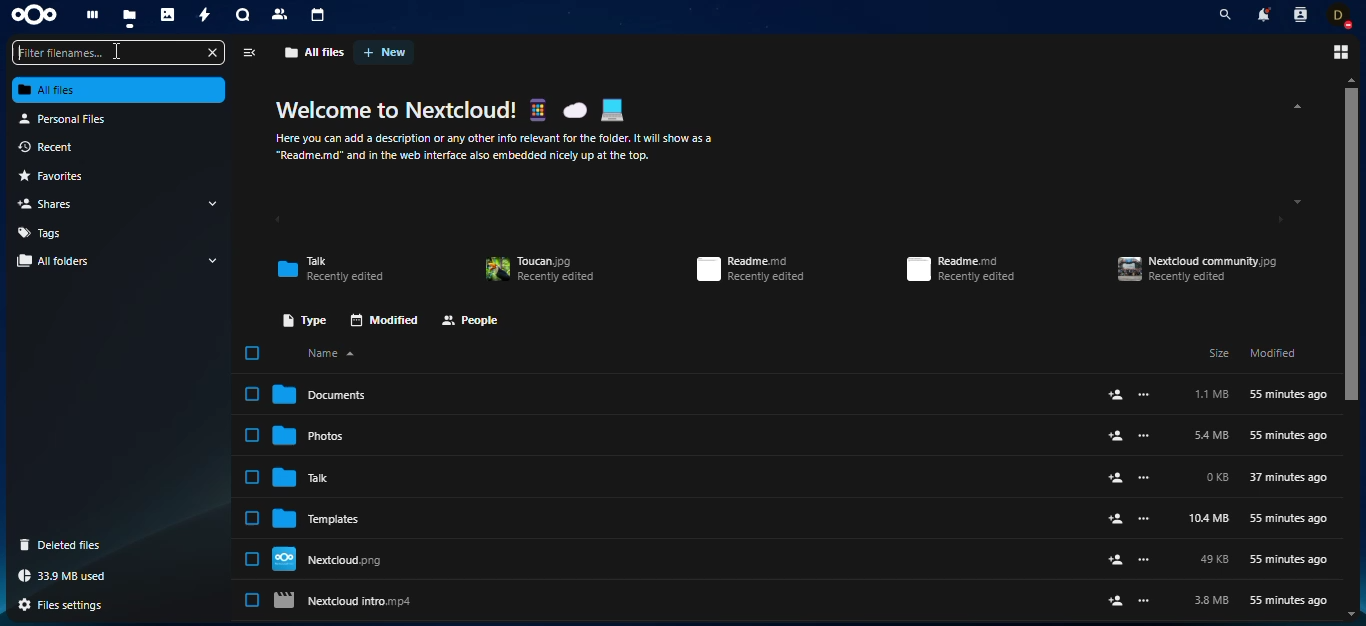  Describe the element at coordinates (1116, 394) in the screenshot. I see `add` at that location.